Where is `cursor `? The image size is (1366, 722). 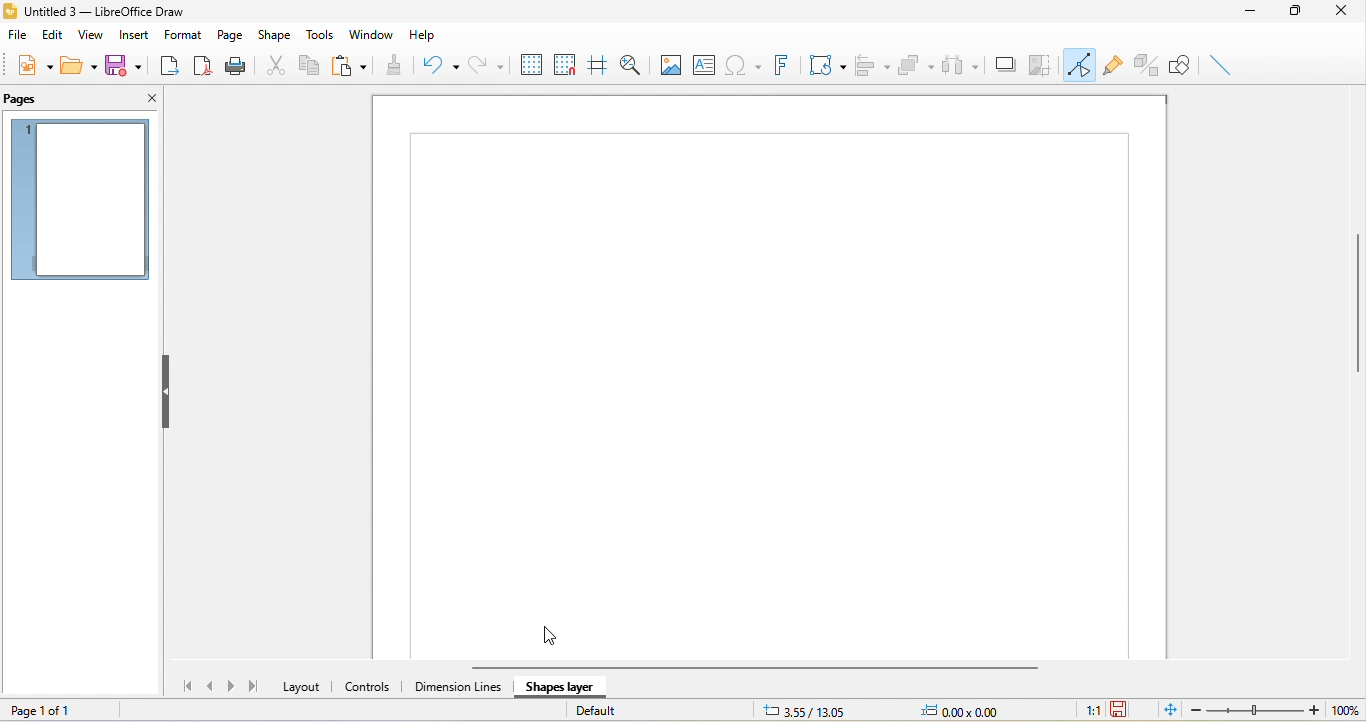
cursor  is located at coordinates (558, 638).